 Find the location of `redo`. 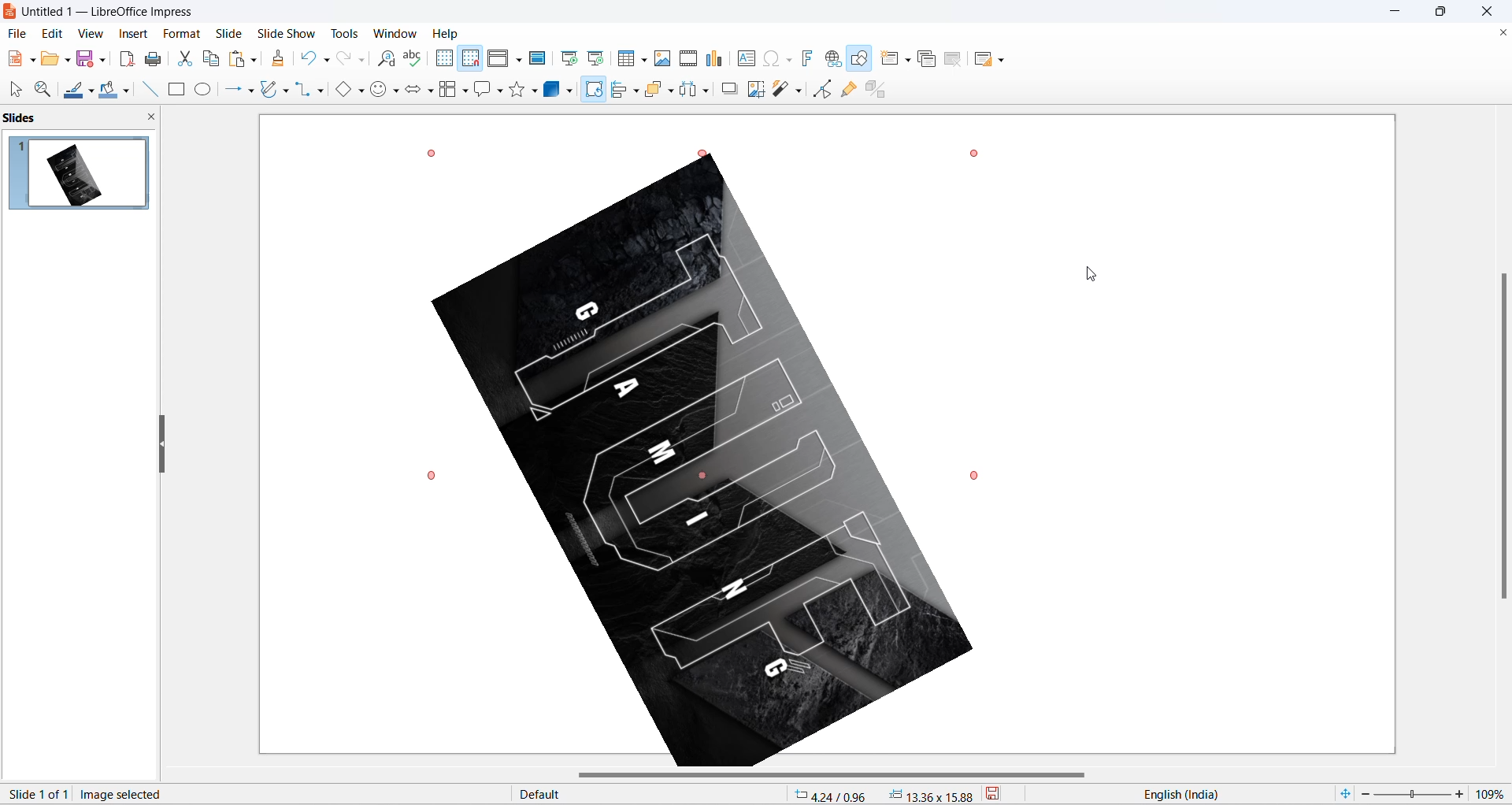

redo is located at coordinates (344, 59).